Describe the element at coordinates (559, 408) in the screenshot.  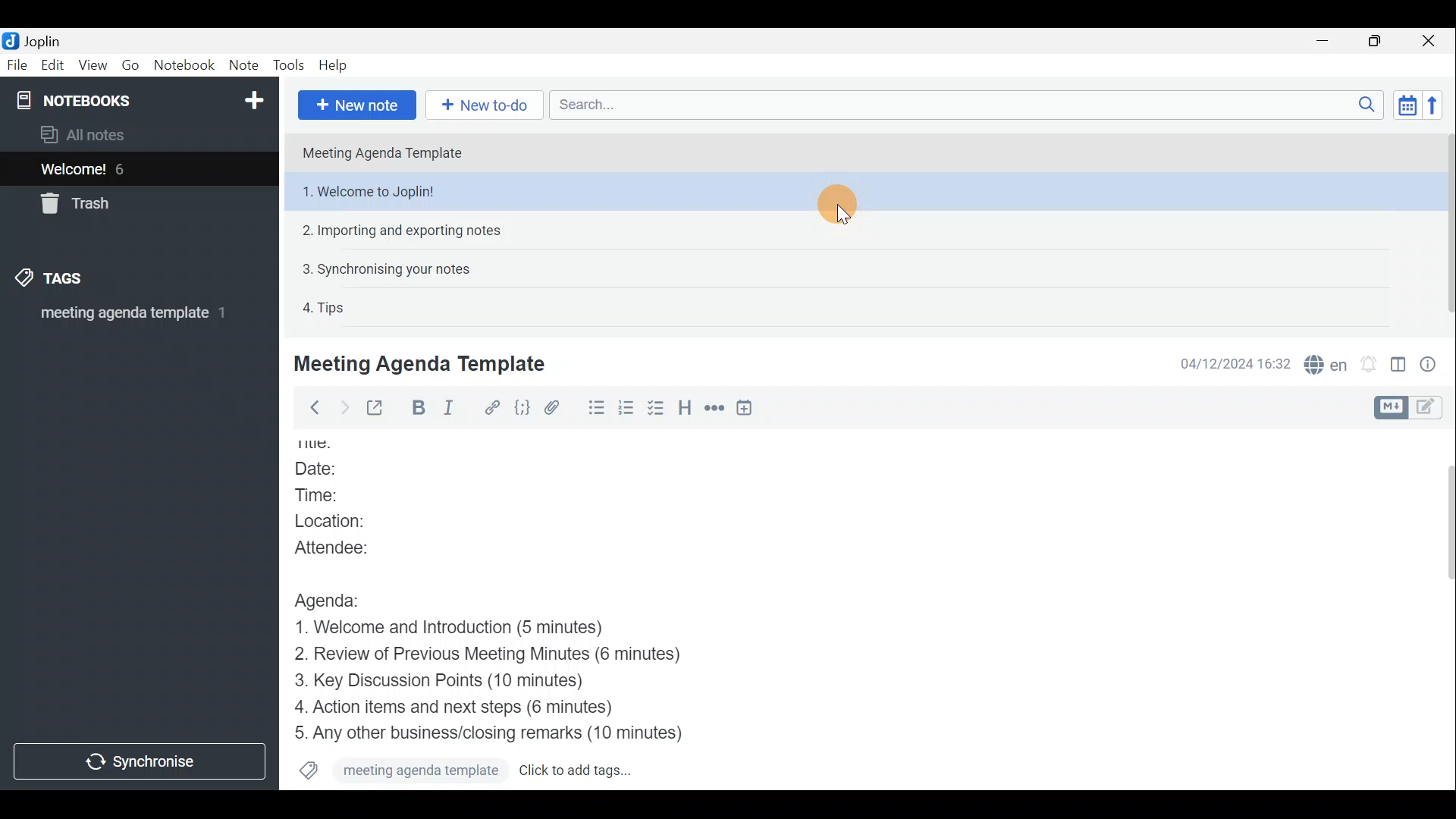
I see `Attach file` at that location.